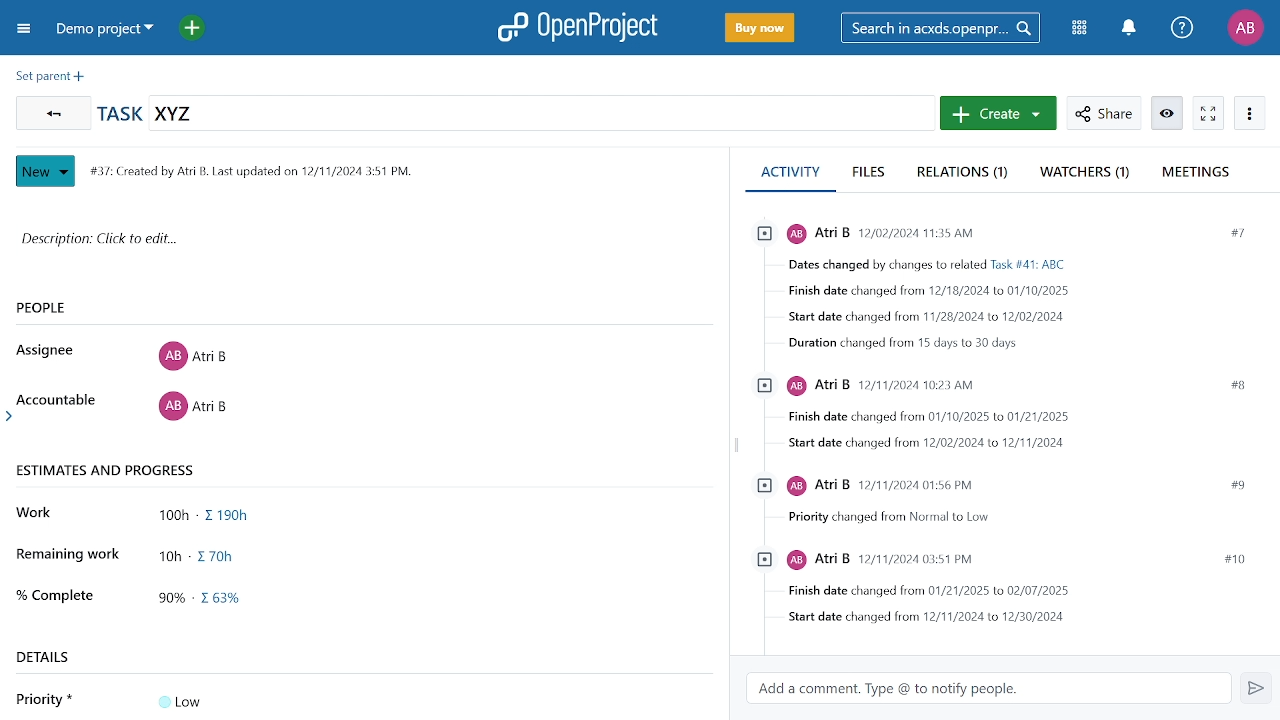 This screenshot has height=720, width=1280. Describe the element at coordinates (62, 401) in the screenshot. I see `Accountable` at that location.